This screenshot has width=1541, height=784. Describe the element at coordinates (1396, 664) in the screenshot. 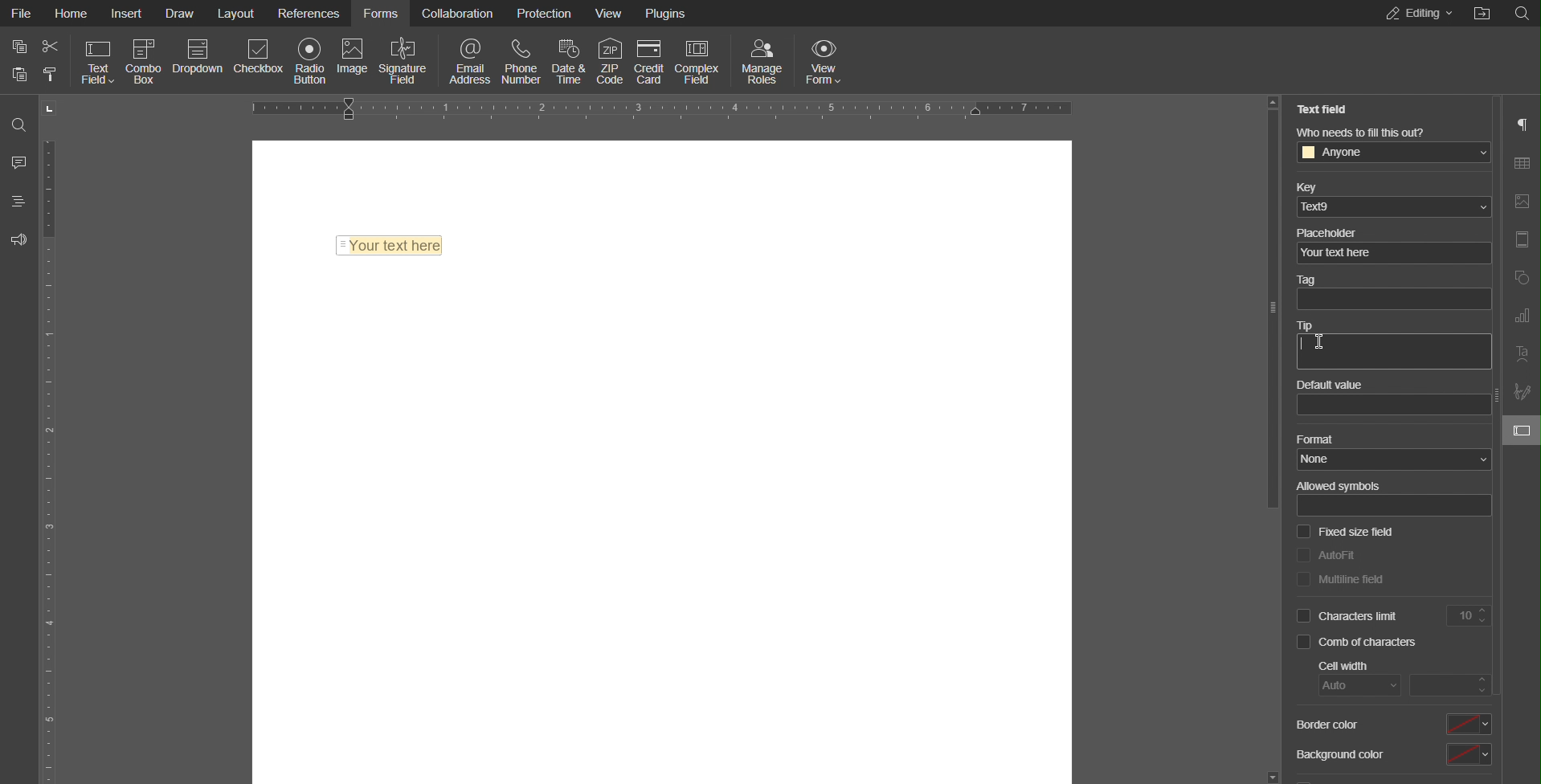

I see `Cell Width` at that location.